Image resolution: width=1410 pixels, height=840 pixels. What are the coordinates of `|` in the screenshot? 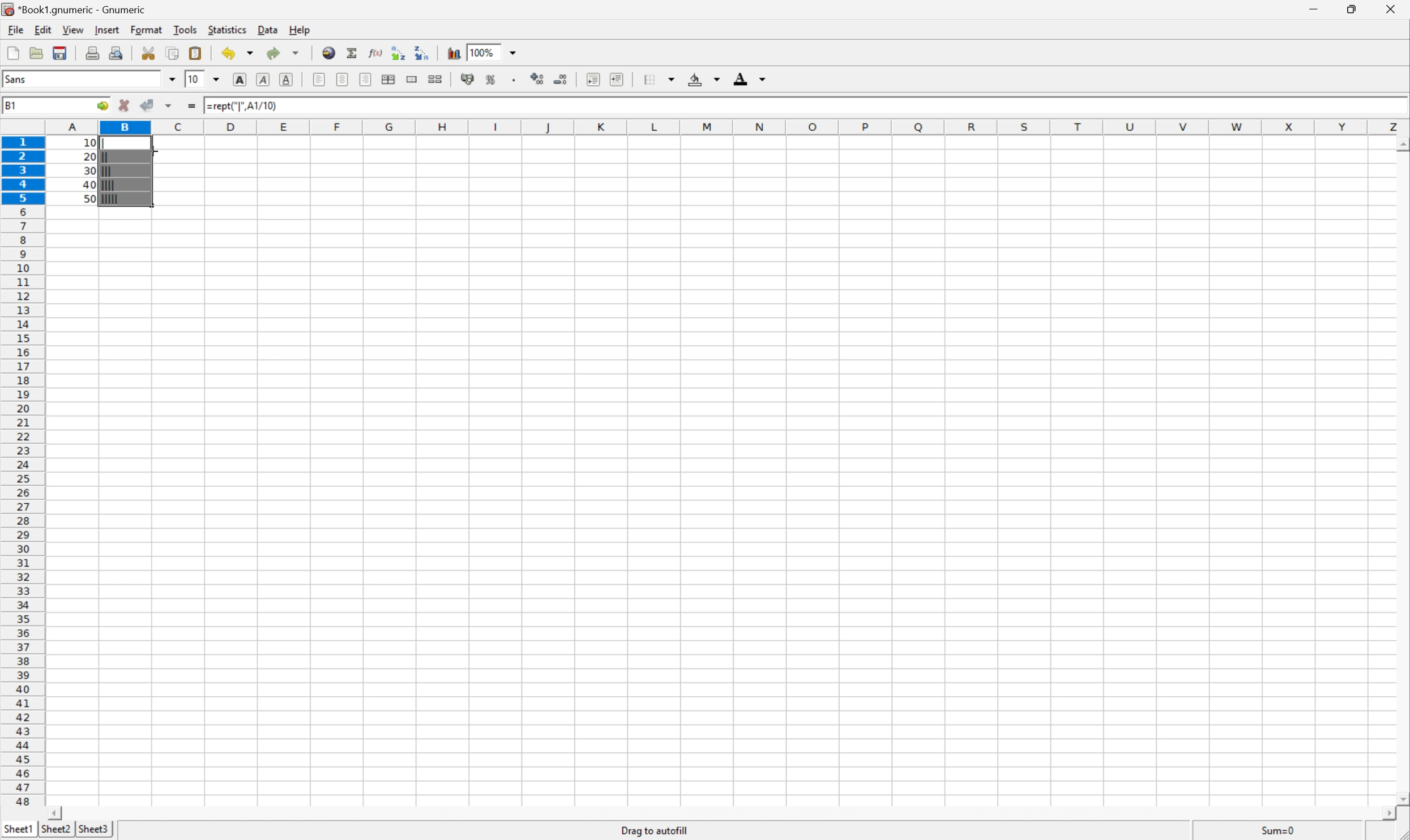 It's located at (102, 143).